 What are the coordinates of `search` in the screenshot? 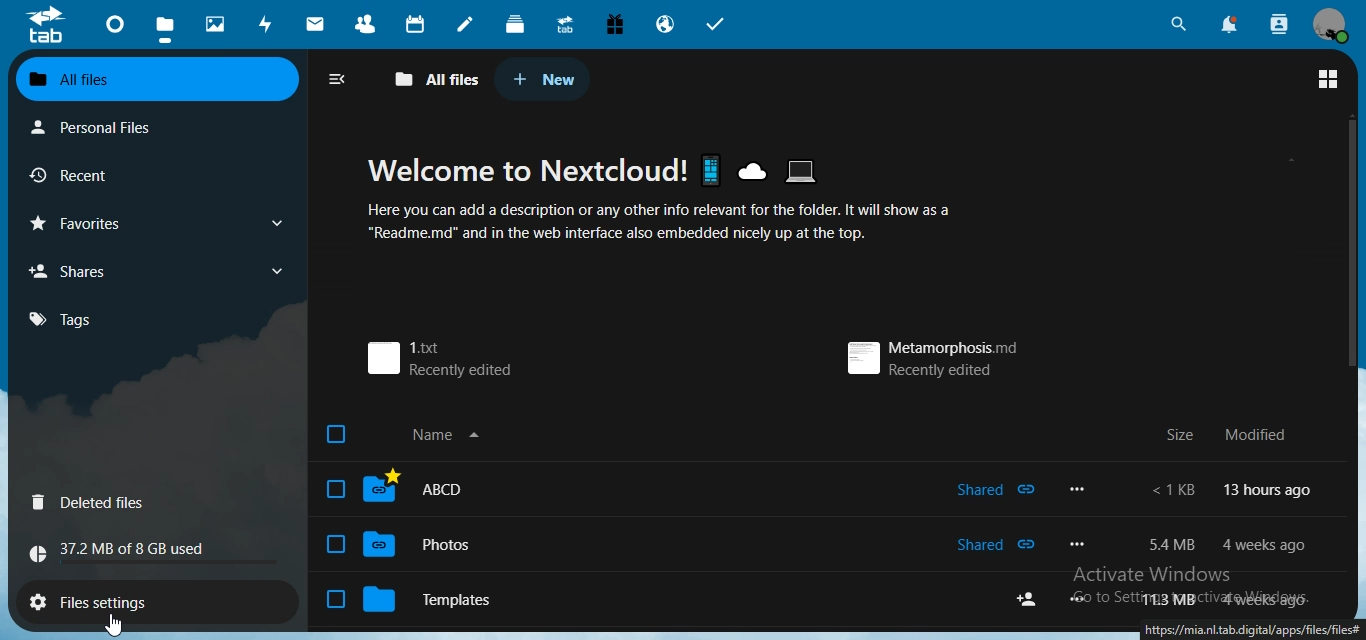 It's located at (1176, 22).